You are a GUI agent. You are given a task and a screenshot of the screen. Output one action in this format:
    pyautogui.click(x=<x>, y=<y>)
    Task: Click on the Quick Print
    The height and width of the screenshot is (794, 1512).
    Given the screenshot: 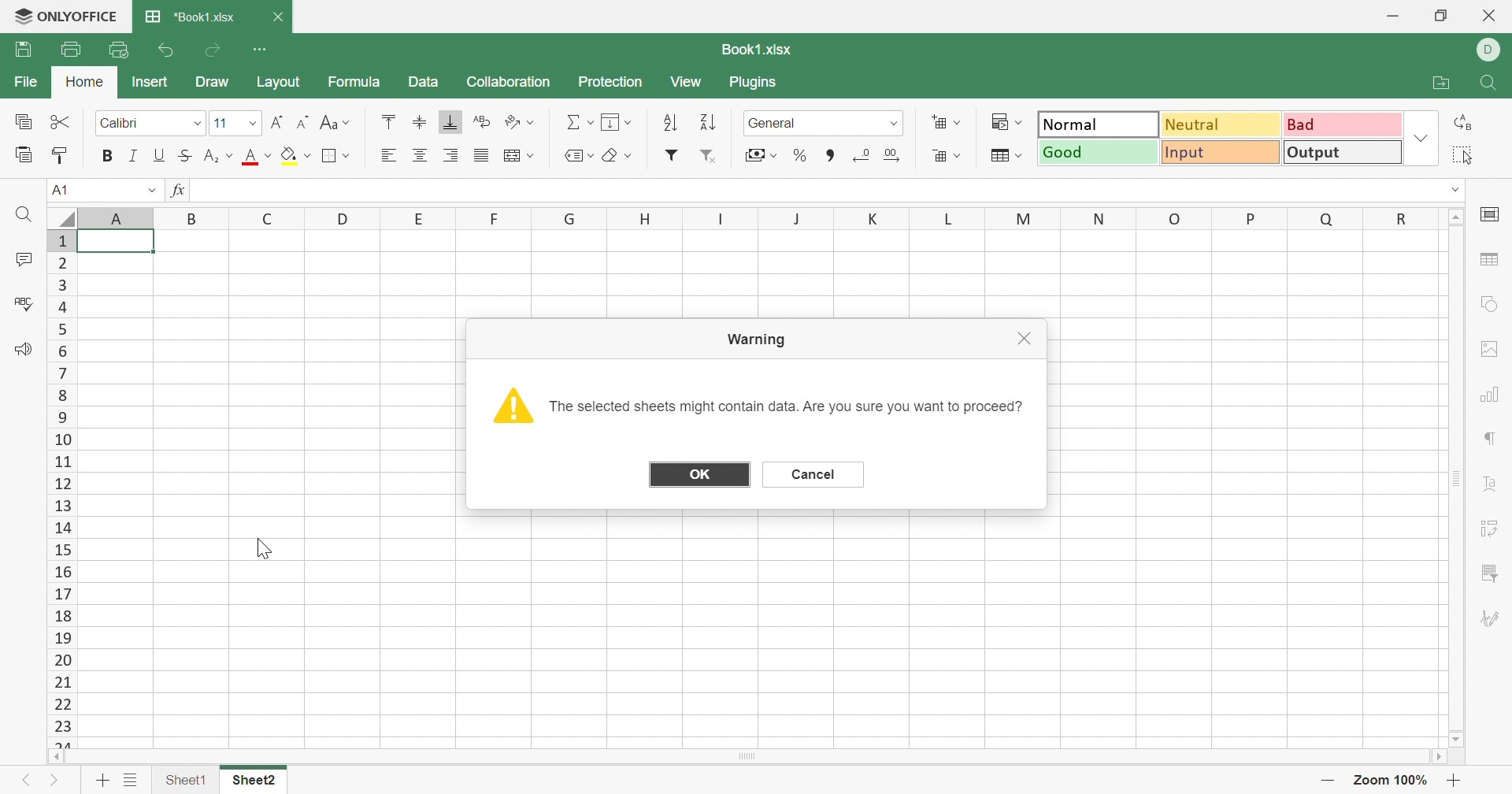 What is the action you would take?
    pyautogui.click(x=117, y=48)
    